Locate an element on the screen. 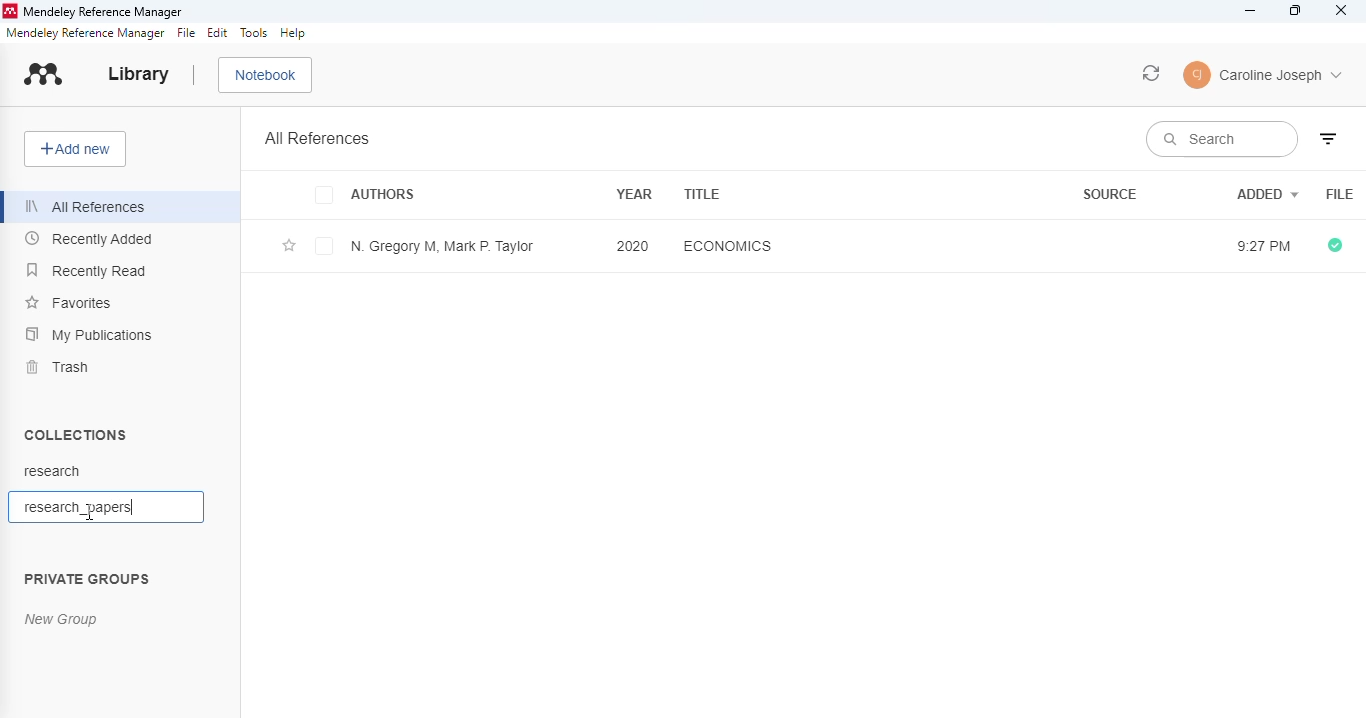  authors is located at coordinates (384, 196).